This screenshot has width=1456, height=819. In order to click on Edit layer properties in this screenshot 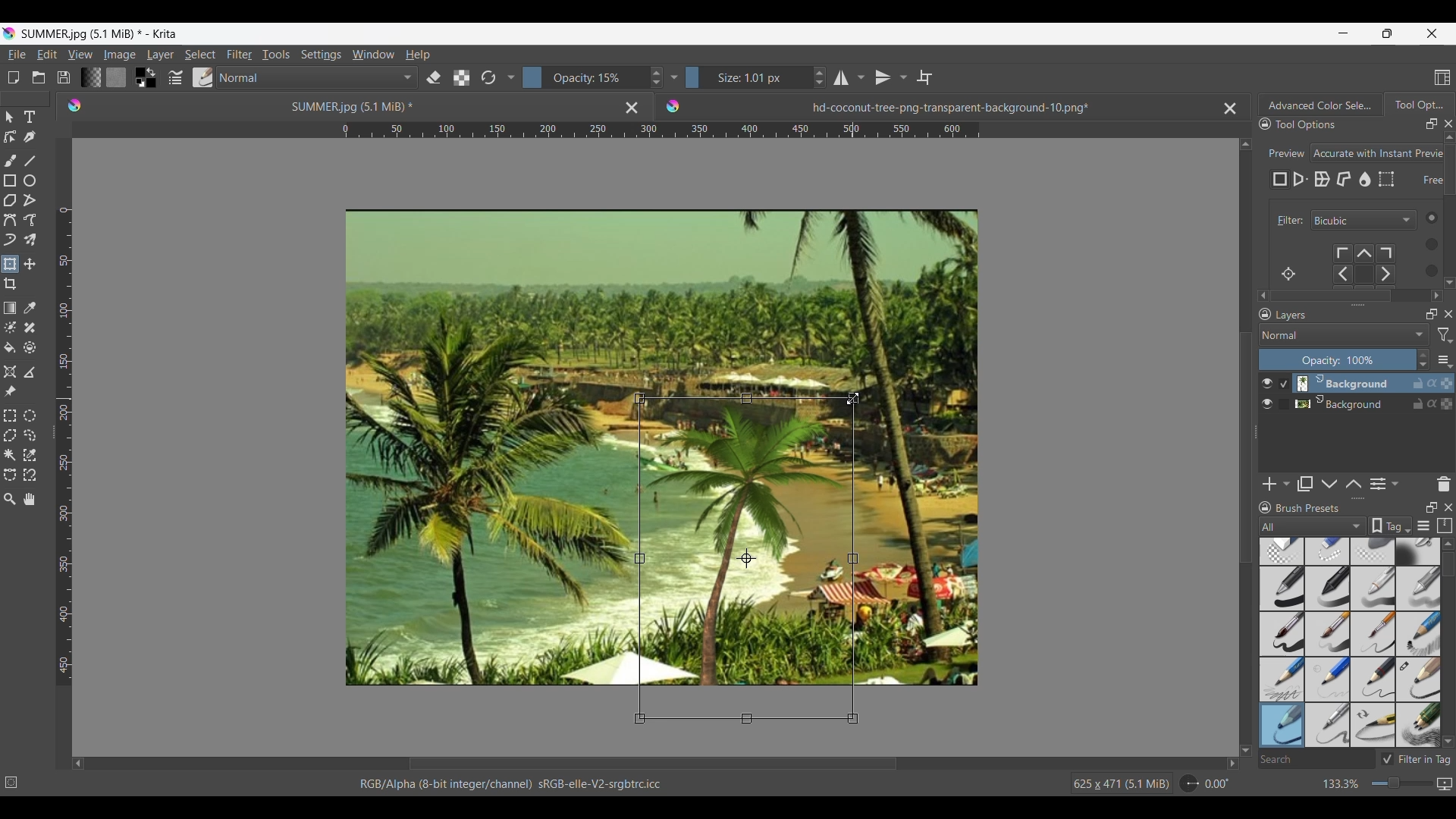, I will do `click(1378, 485)`.